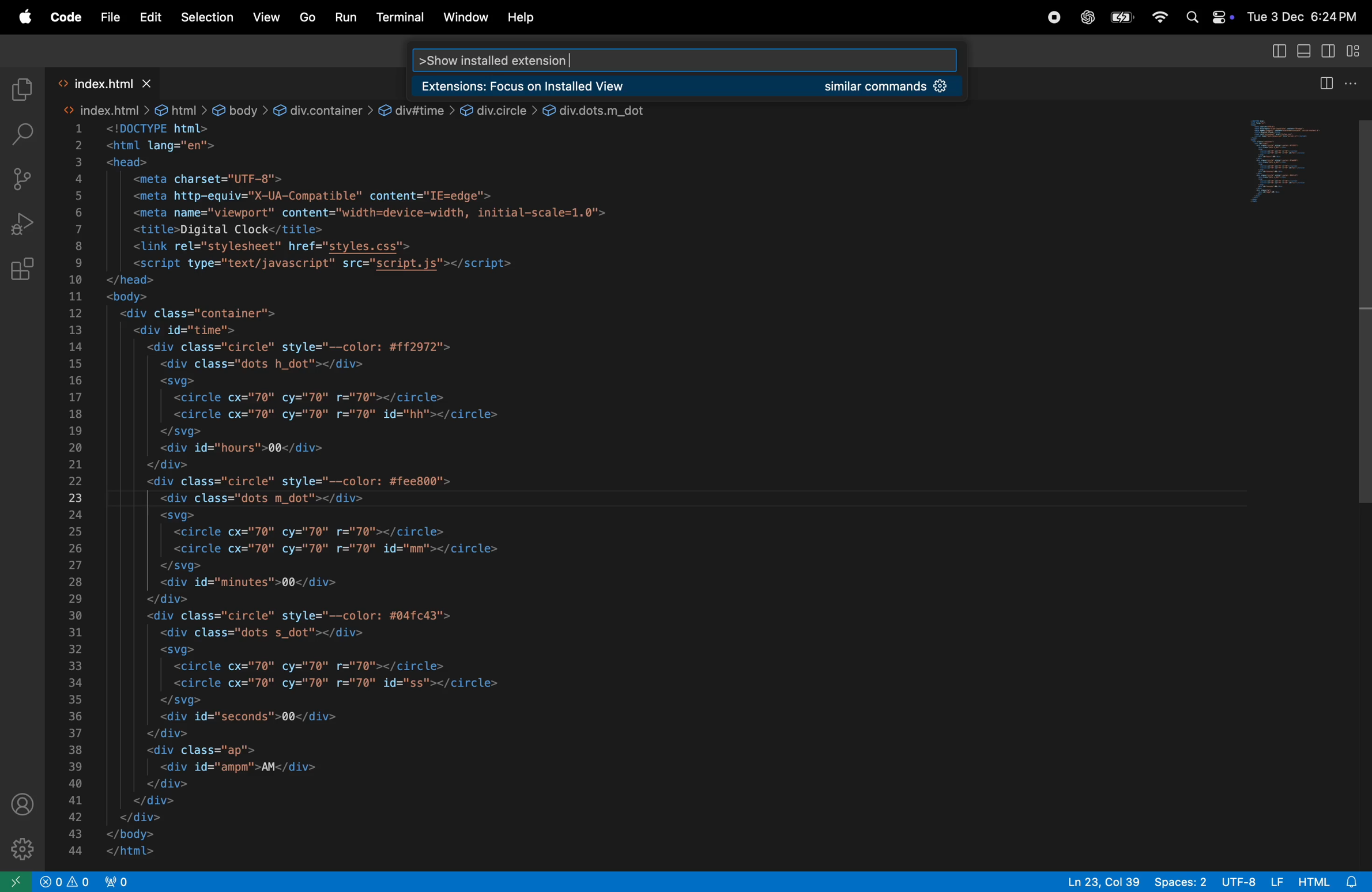 The height and width of the screenshot is (892, 1372). I want to click on split editor, so click(1339, 84).